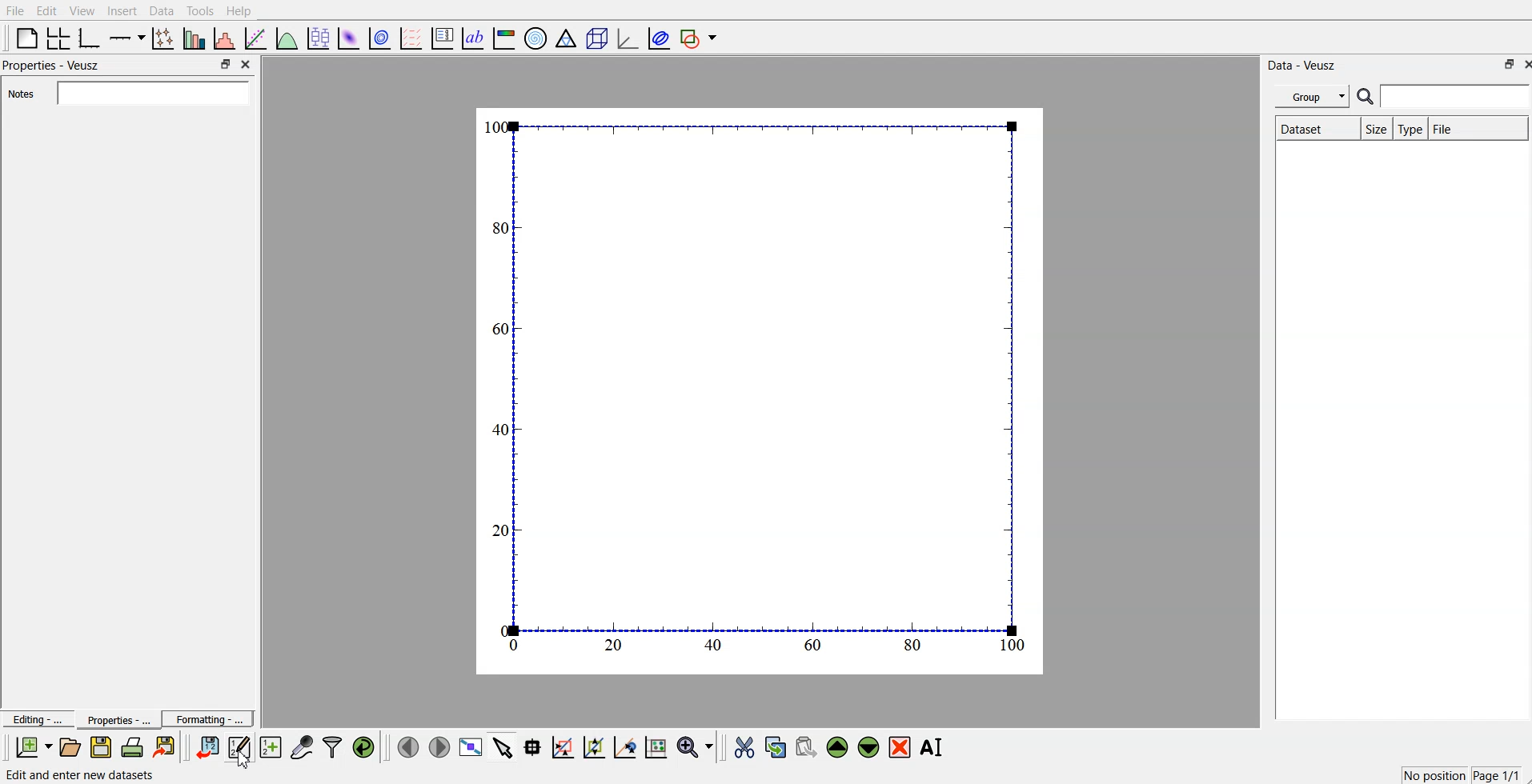 This screenshot has width=1532, height=784. I want to click on Dataset, so click(1312, 129).